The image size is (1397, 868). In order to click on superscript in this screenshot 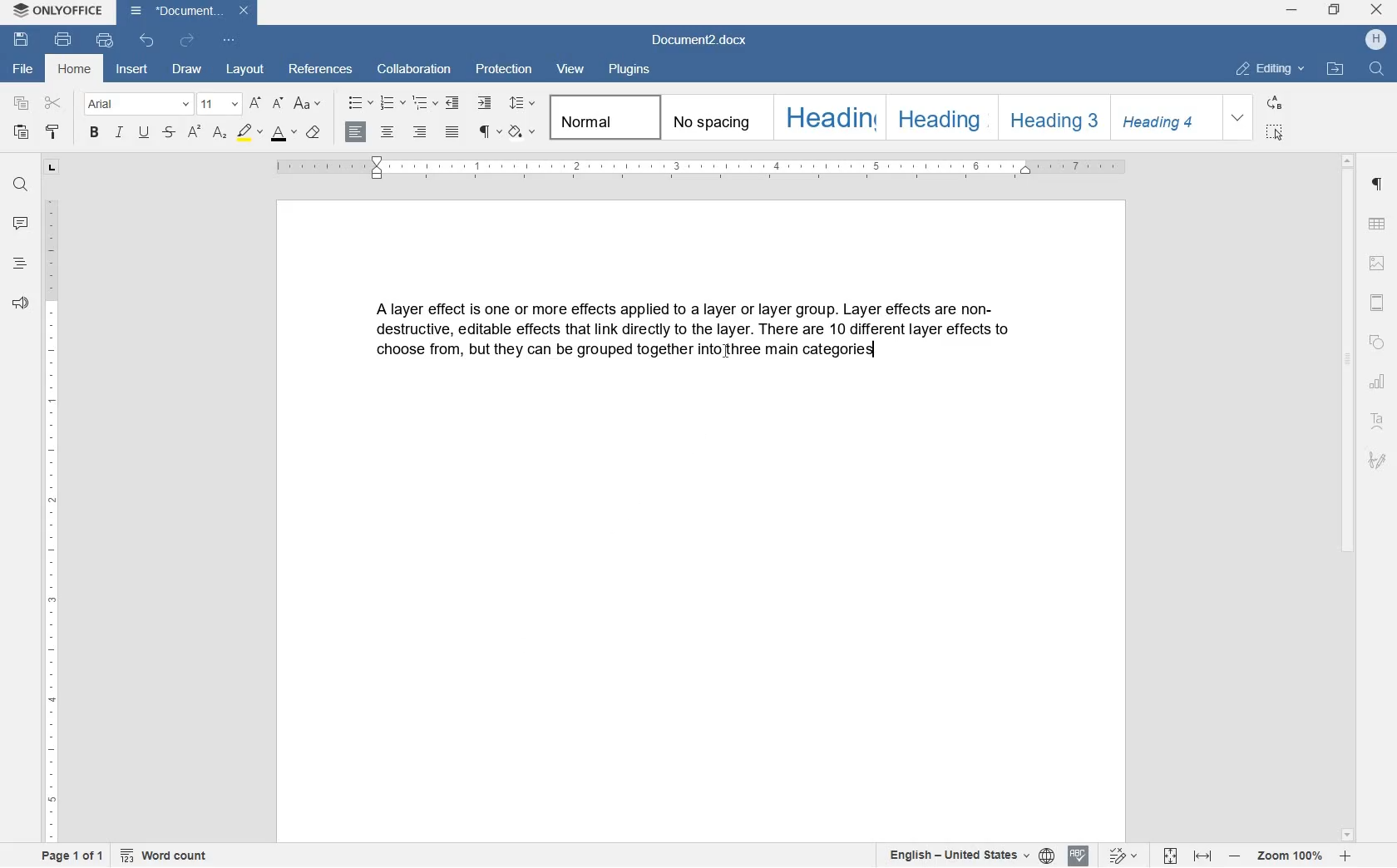, I will do `click(195, 134)`.